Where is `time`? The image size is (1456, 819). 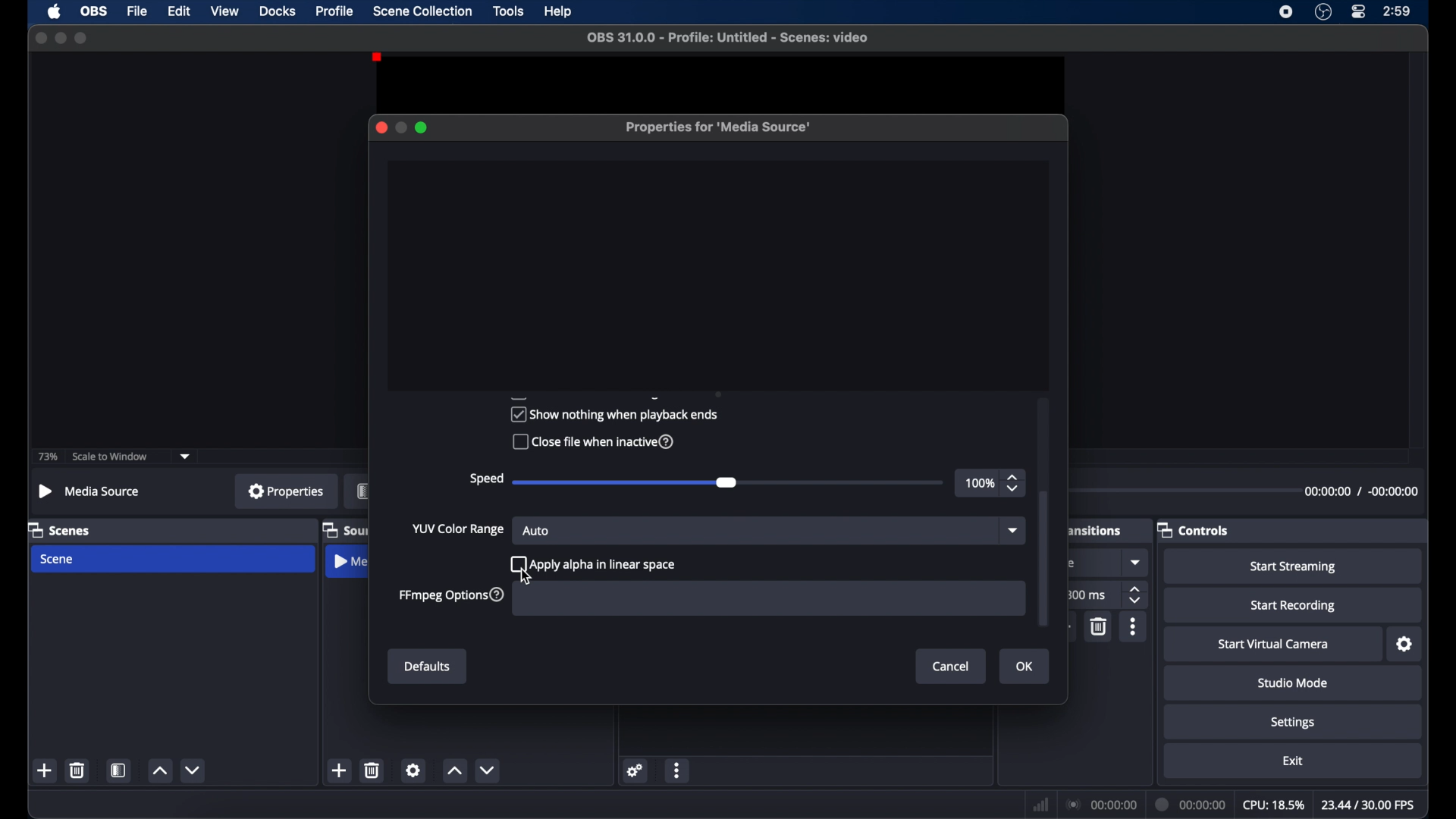 time is located at coordinates (1398, 11).